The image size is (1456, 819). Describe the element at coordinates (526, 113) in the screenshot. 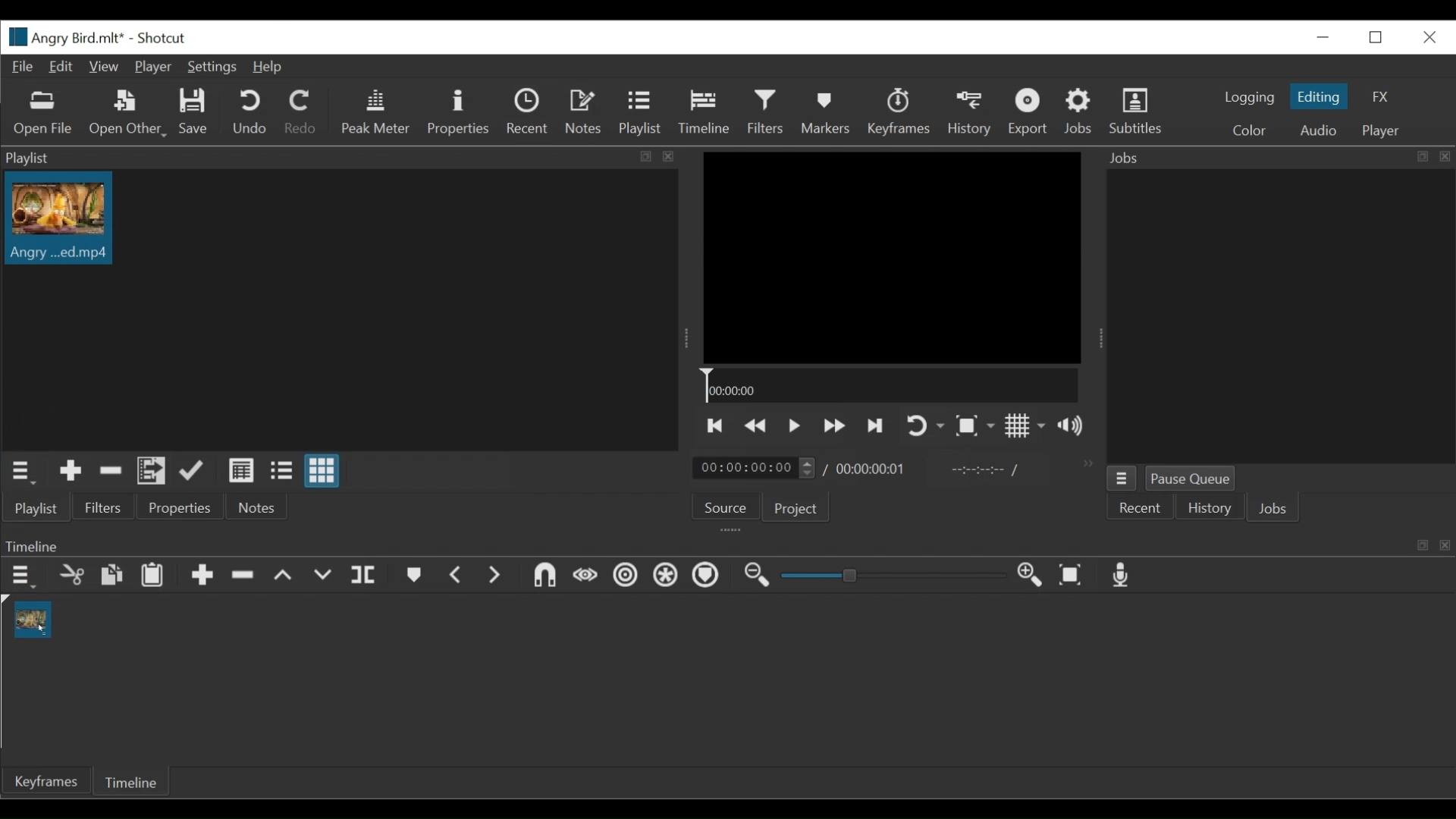

I see `Recent` at that location.